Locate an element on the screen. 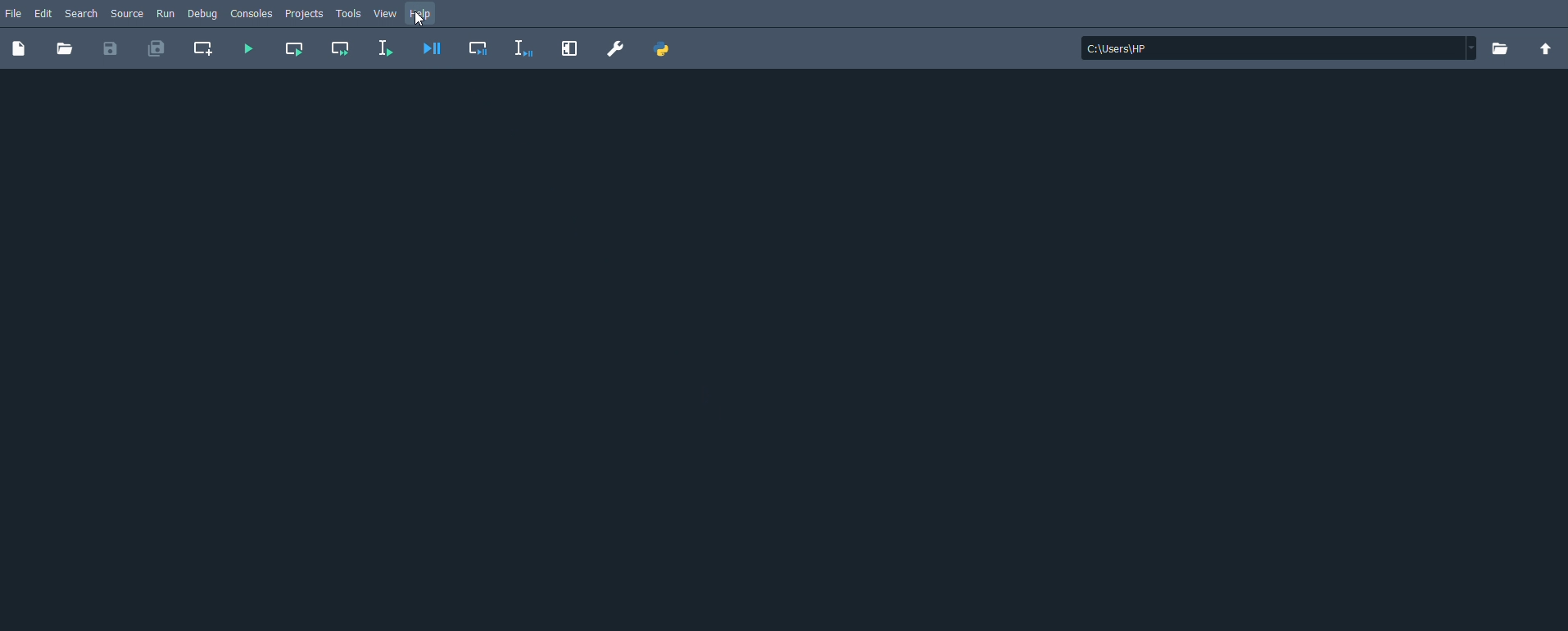 The image size is (1568, 631). Run is located at coordinates (167, 12).